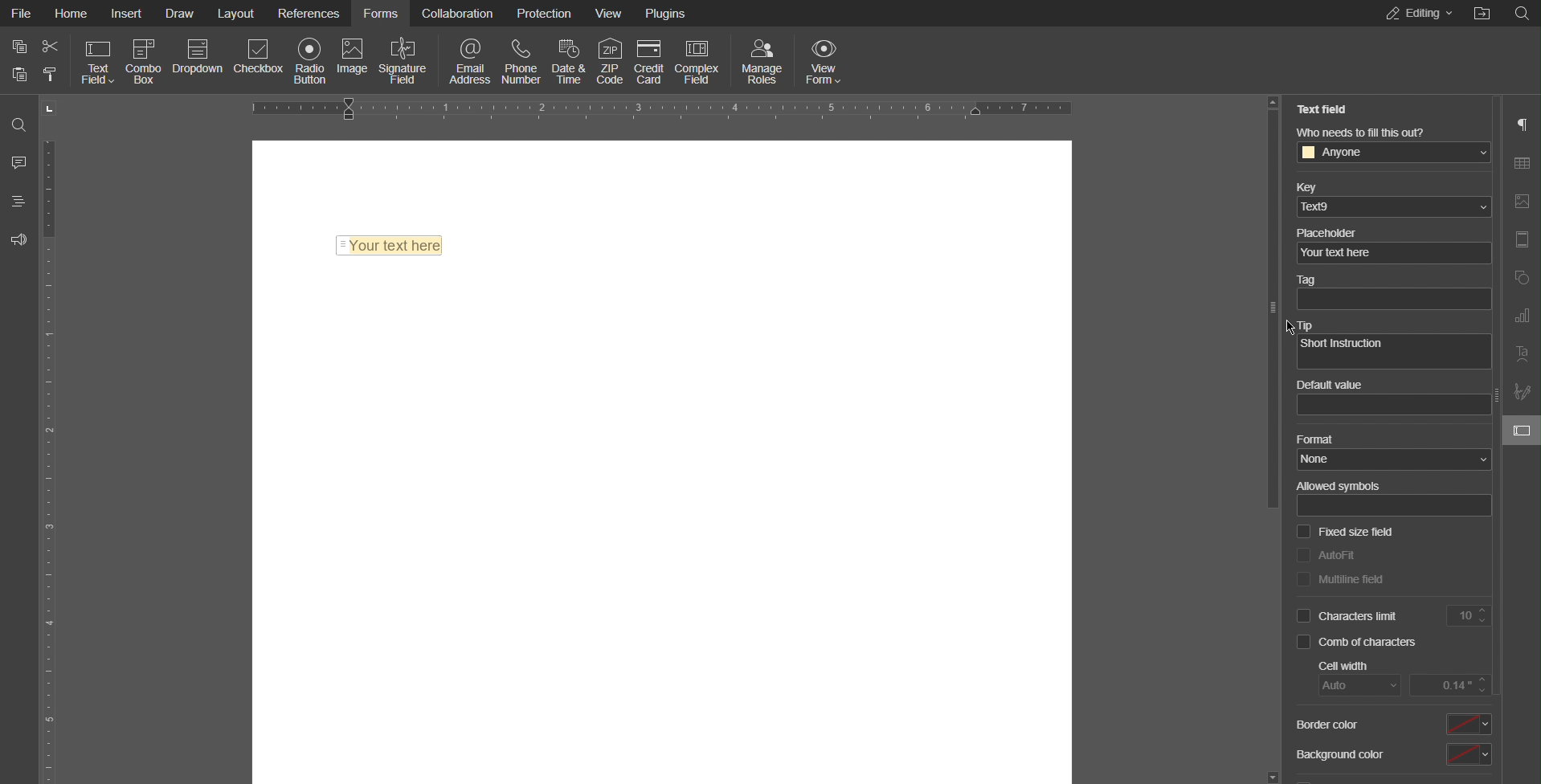 This screenshot has width=1541, height=784. I want to click on Plugins, so click(668, 12).